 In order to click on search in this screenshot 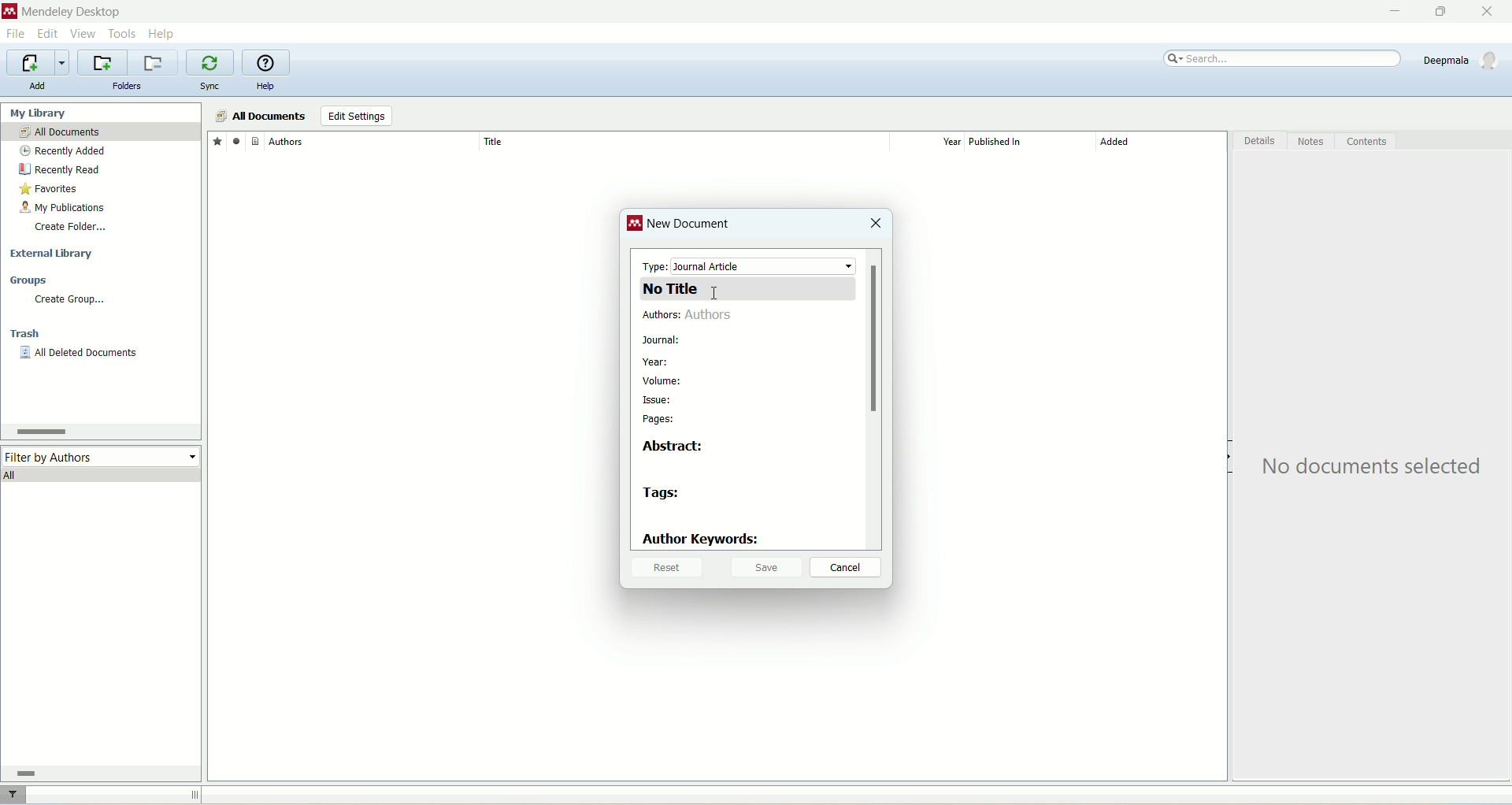, I will do `click(1284, 59)`.